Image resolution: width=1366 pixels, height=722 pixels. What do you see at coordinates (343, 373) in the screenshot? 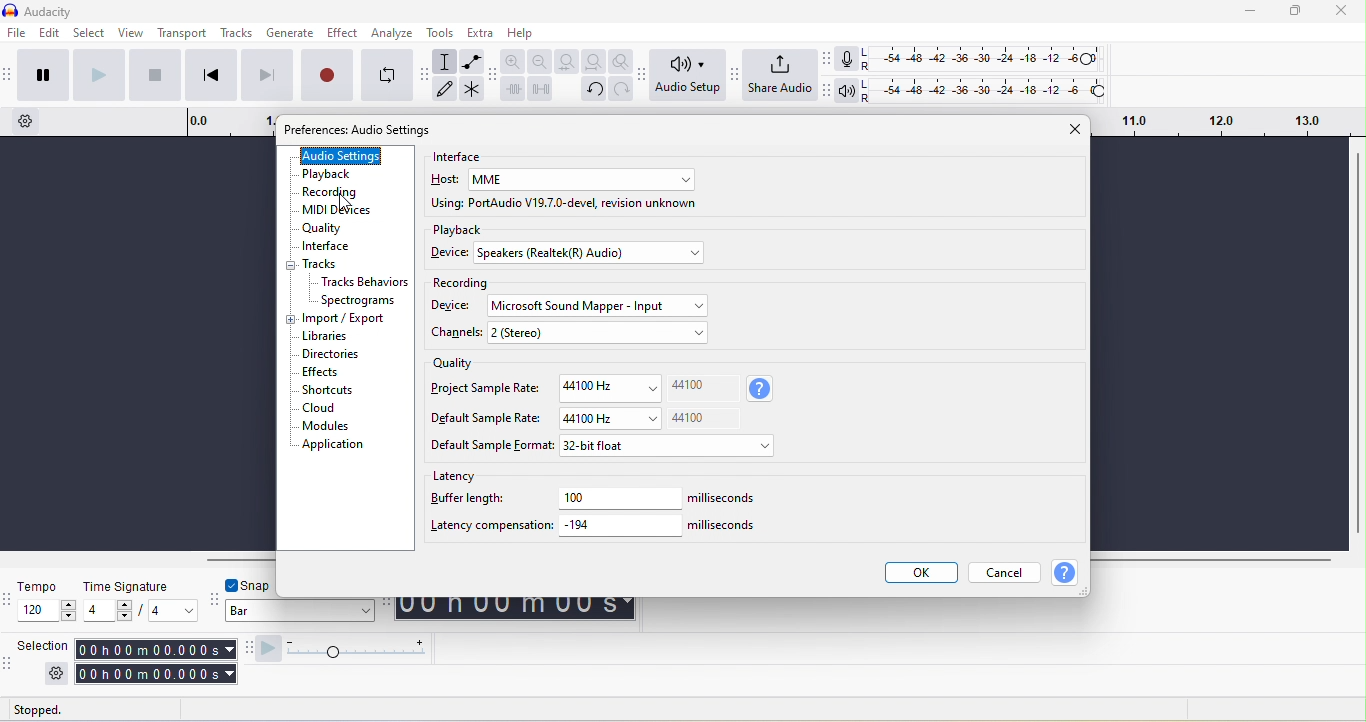
I see `effects` at bounding box center [343, 373].